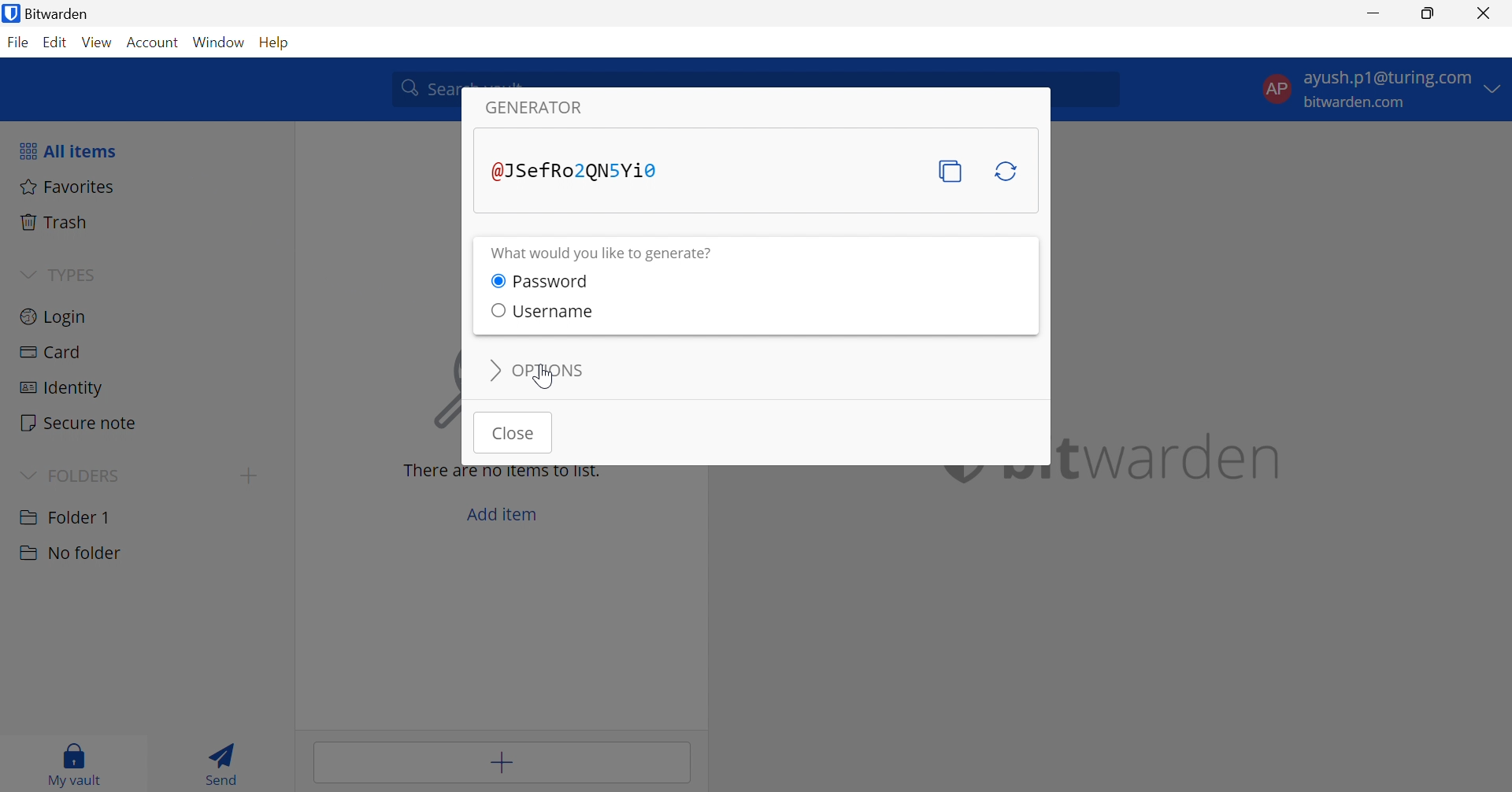 This screenshot has height=792, width=1512. Describe the element at coordinates (67, 516) in the screenshot. I see `Folder` at that location.